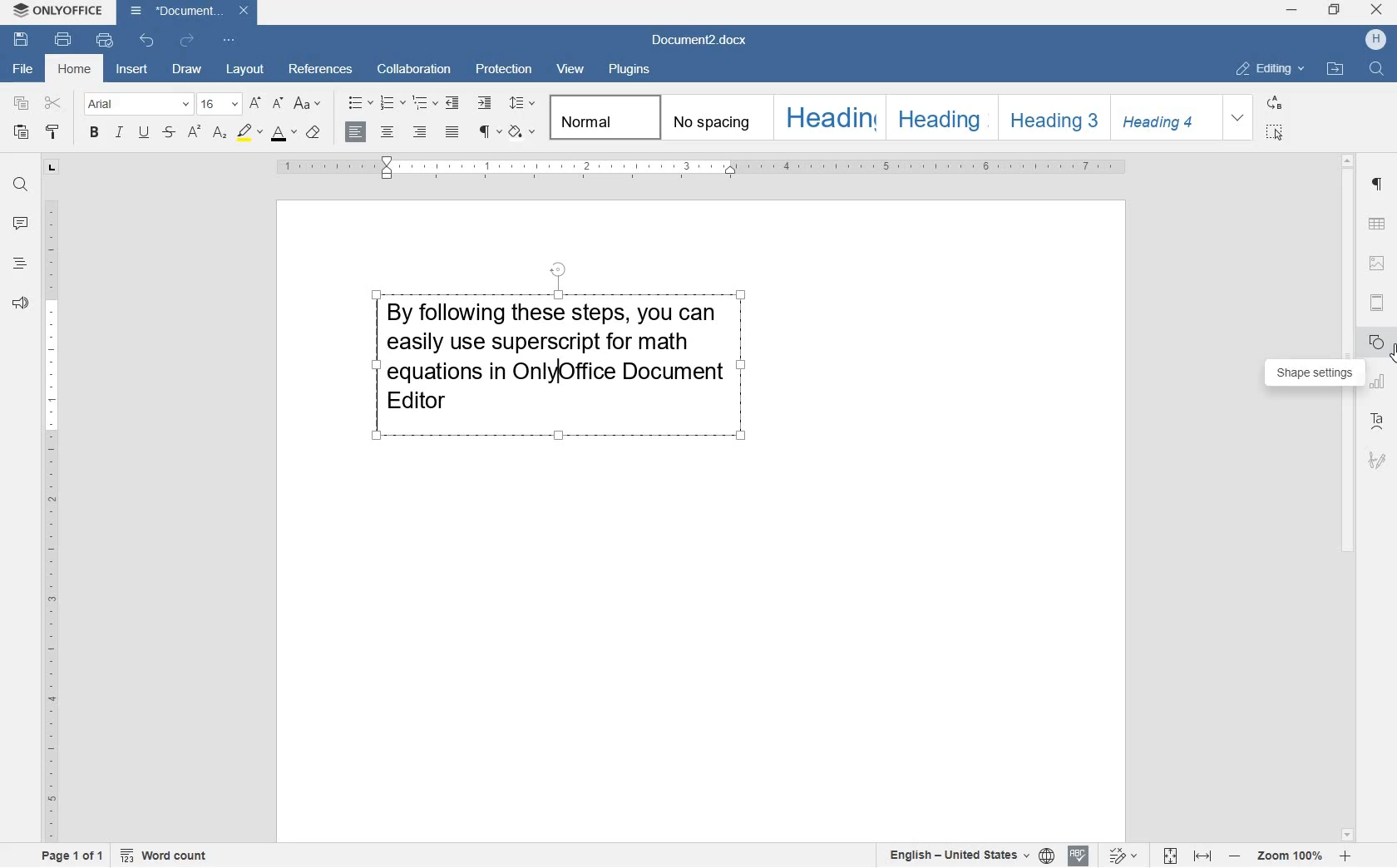 Image resolution: width=1397 pixels, height=868 pixels. I want to click on comments, so click(20, 224).